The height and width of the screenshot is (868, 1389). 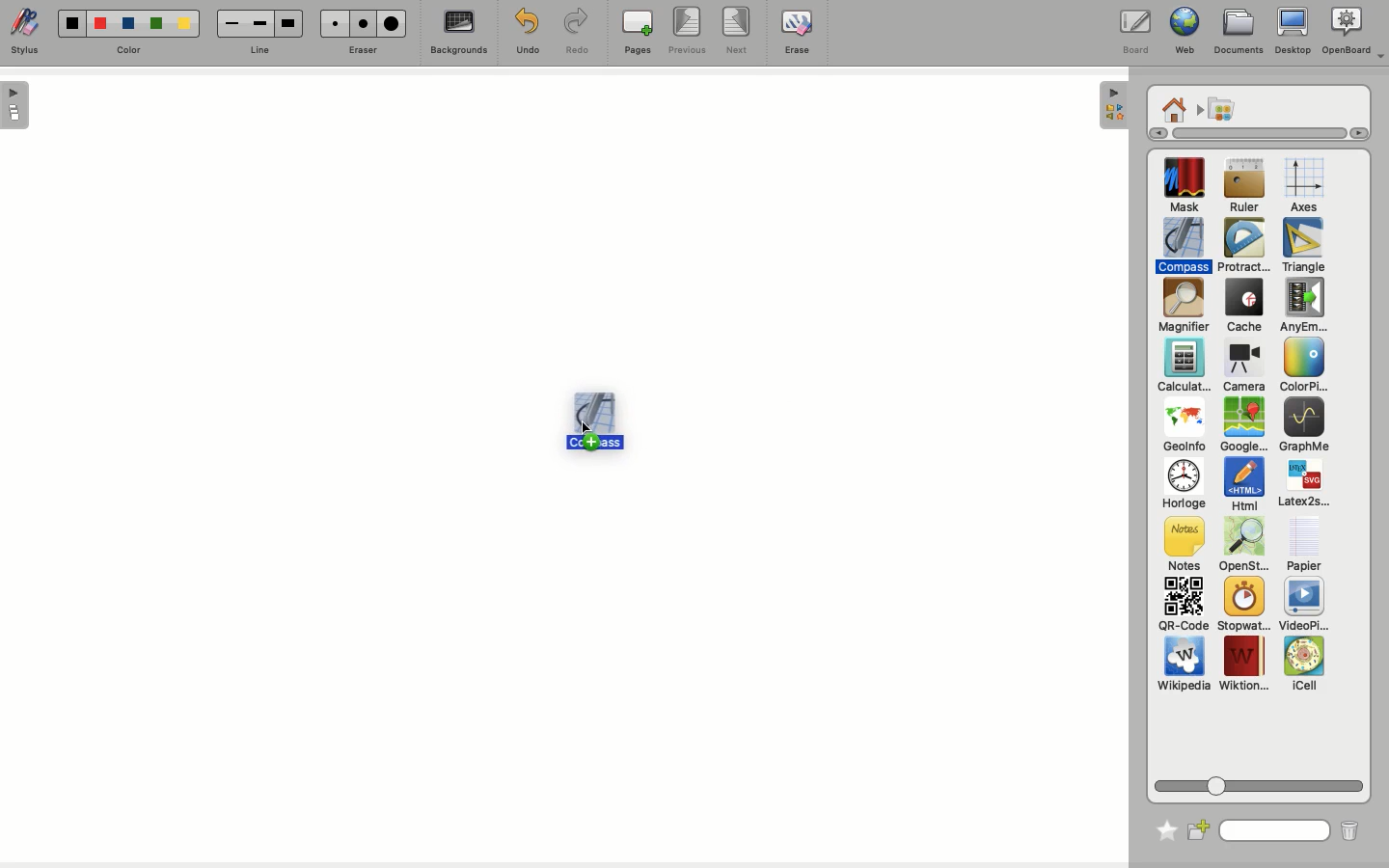 What do you see at coordinates (1174, 108) in the screenshot?
I see `Home` at bounding box center [1174, 108].